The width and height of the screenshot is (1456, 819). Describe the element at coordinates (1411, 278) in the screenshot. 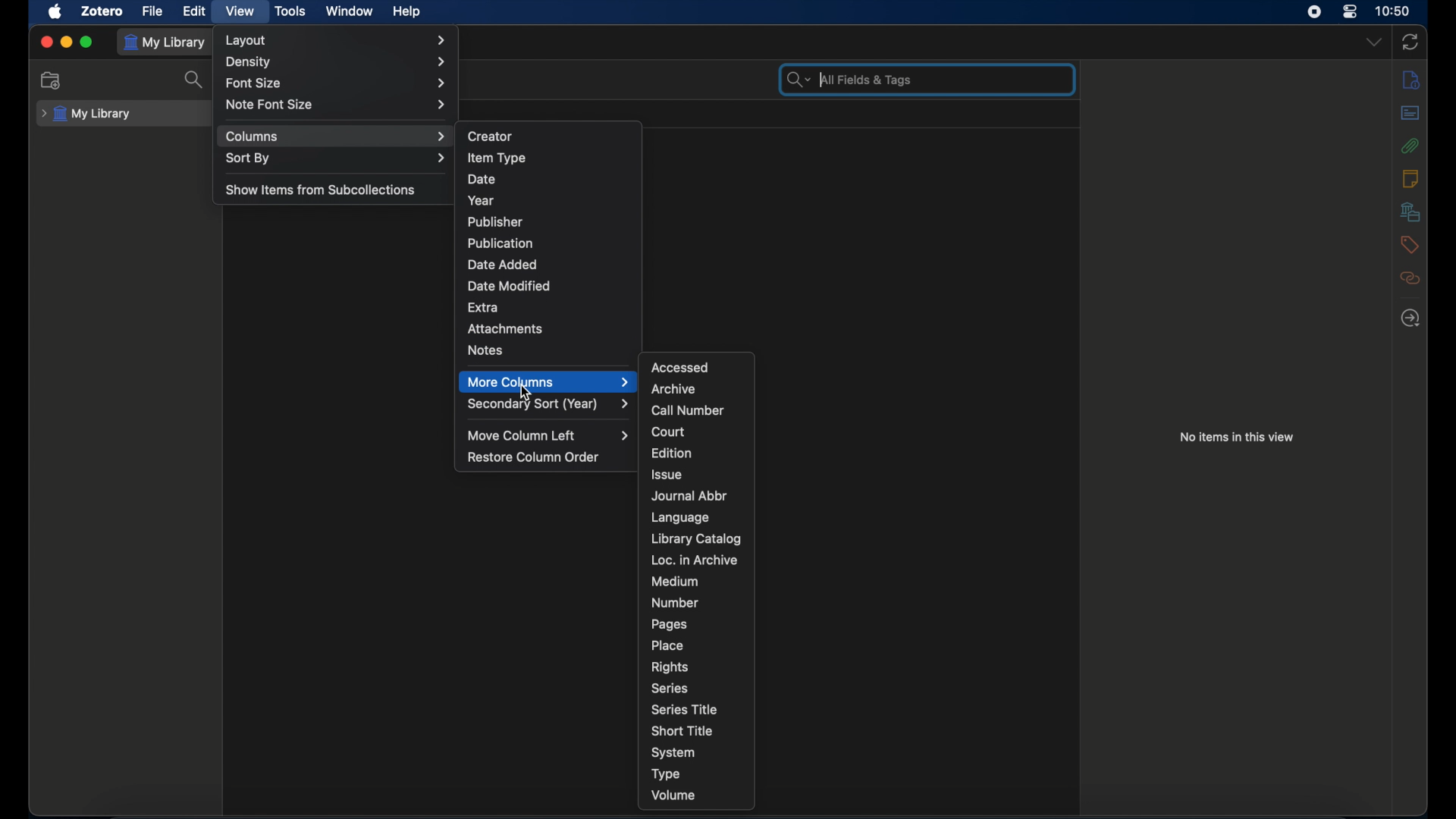

I see `related` at that location.